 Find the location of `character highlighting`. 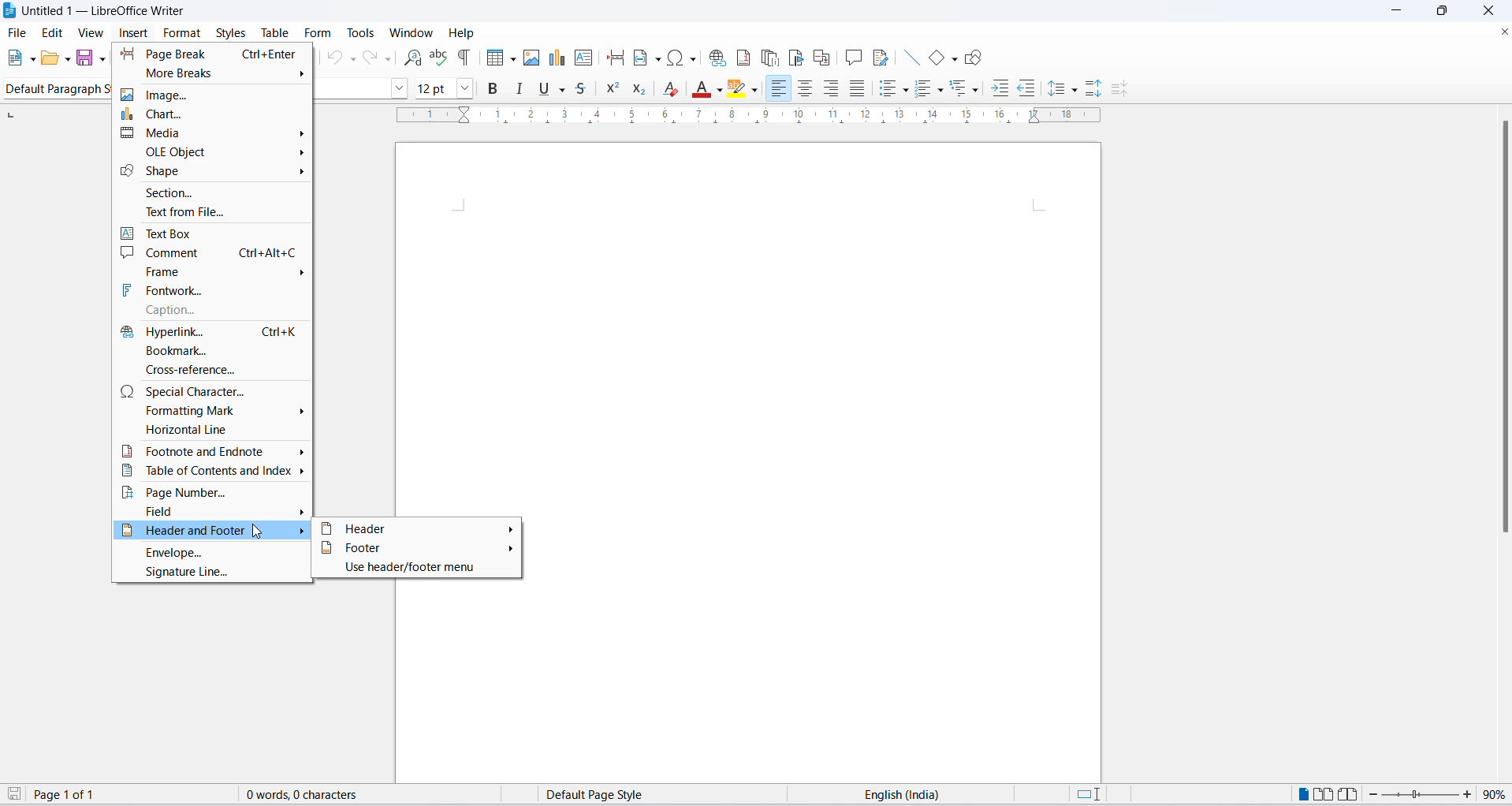

character highlighting is located at coordinates (738, 90).